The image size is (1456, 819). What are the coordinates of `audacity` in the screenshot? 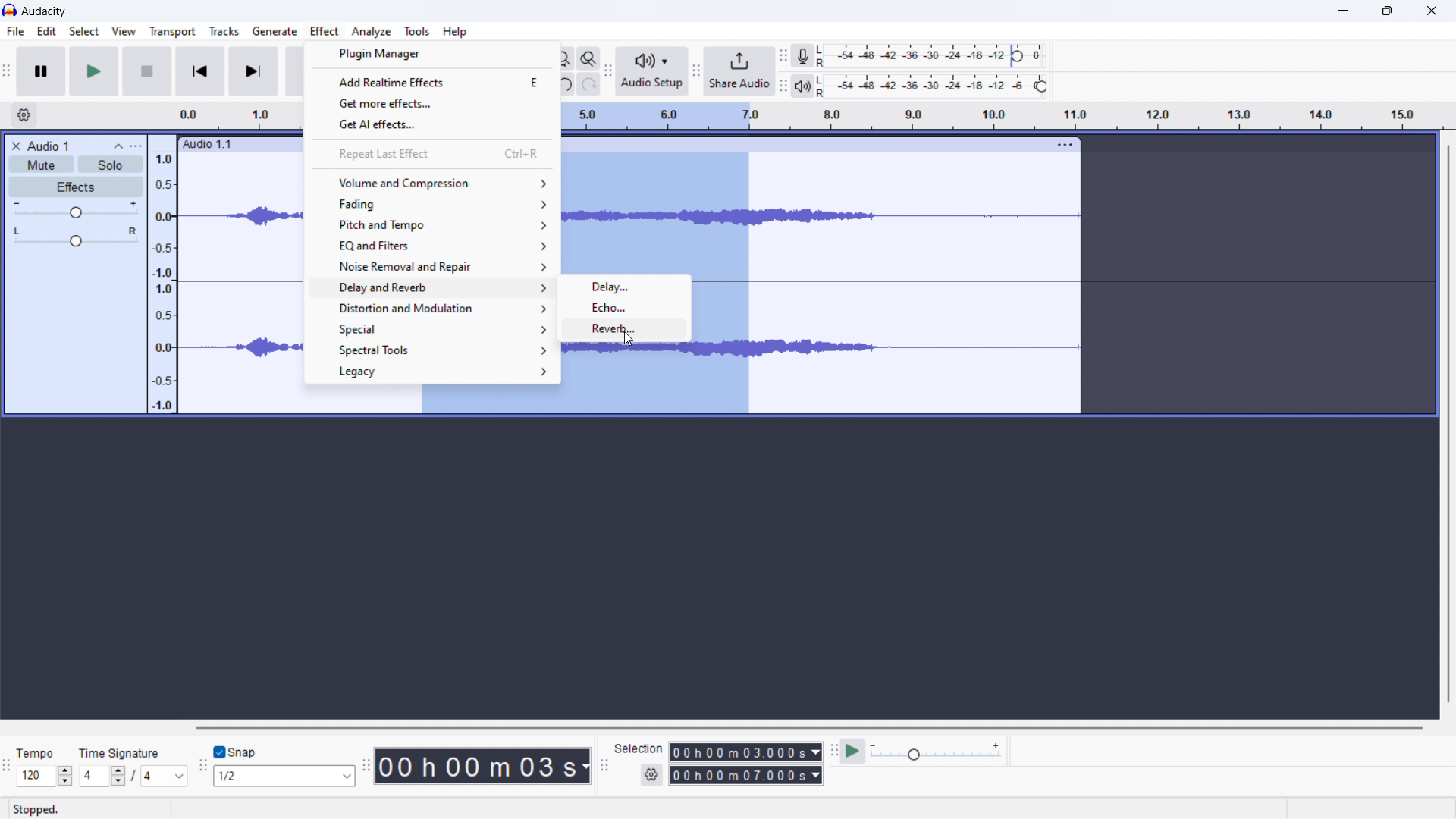 It's located at (45, 12).